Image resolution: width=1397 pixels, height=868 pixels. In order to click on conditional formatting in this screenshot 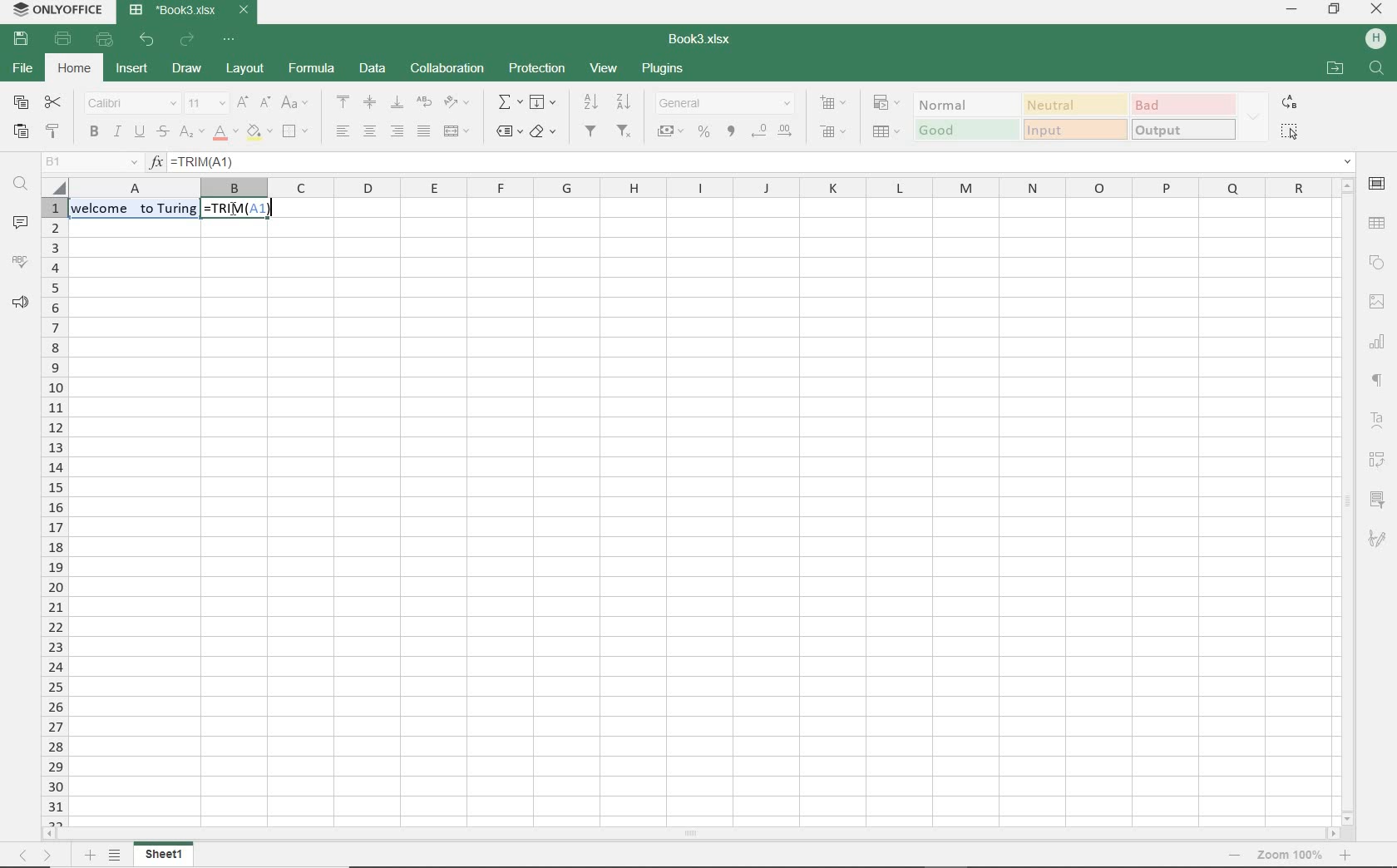, I will do `click(886, 102)`.